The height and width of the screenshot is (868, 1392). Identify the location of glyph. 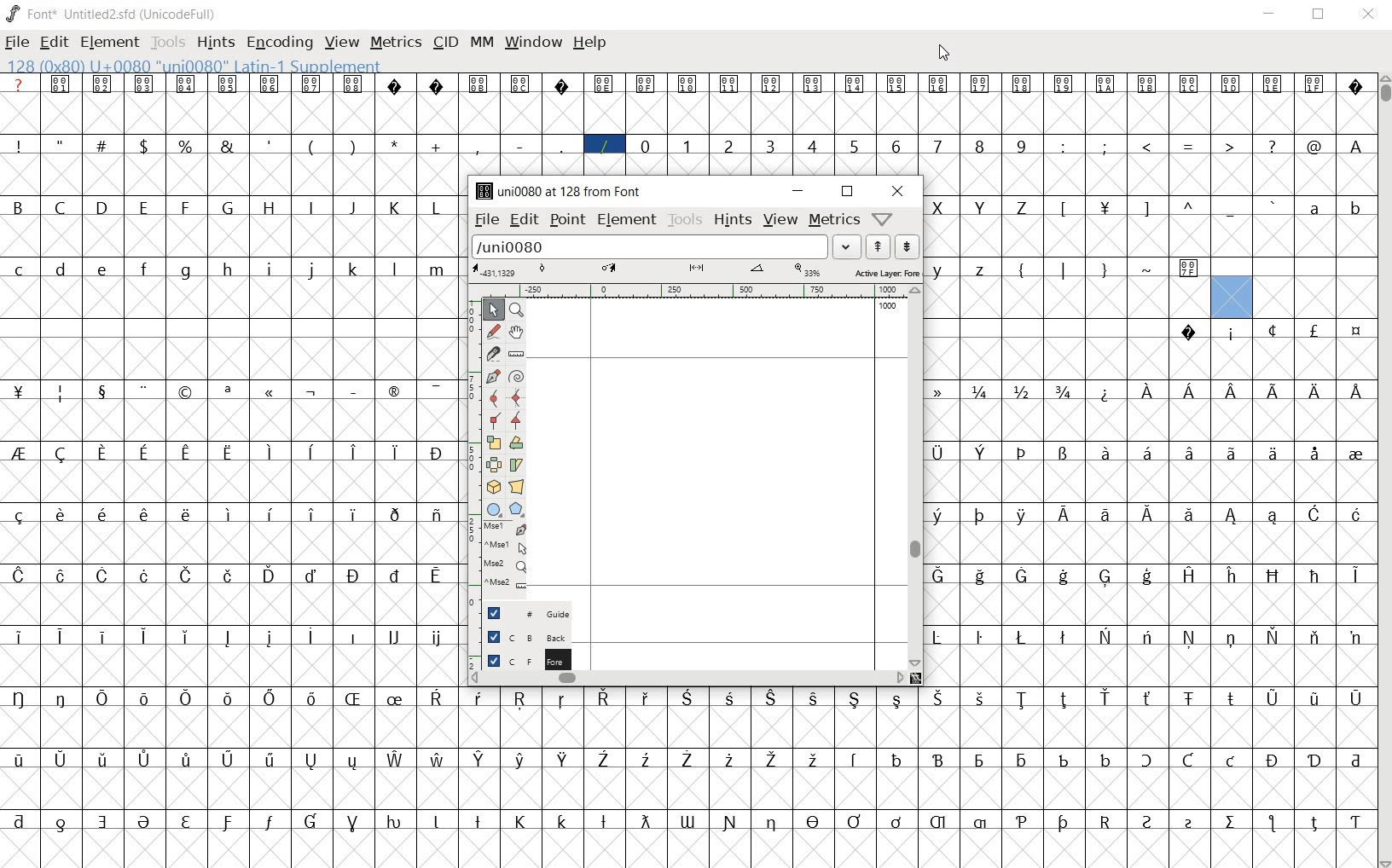
(1022, 700).